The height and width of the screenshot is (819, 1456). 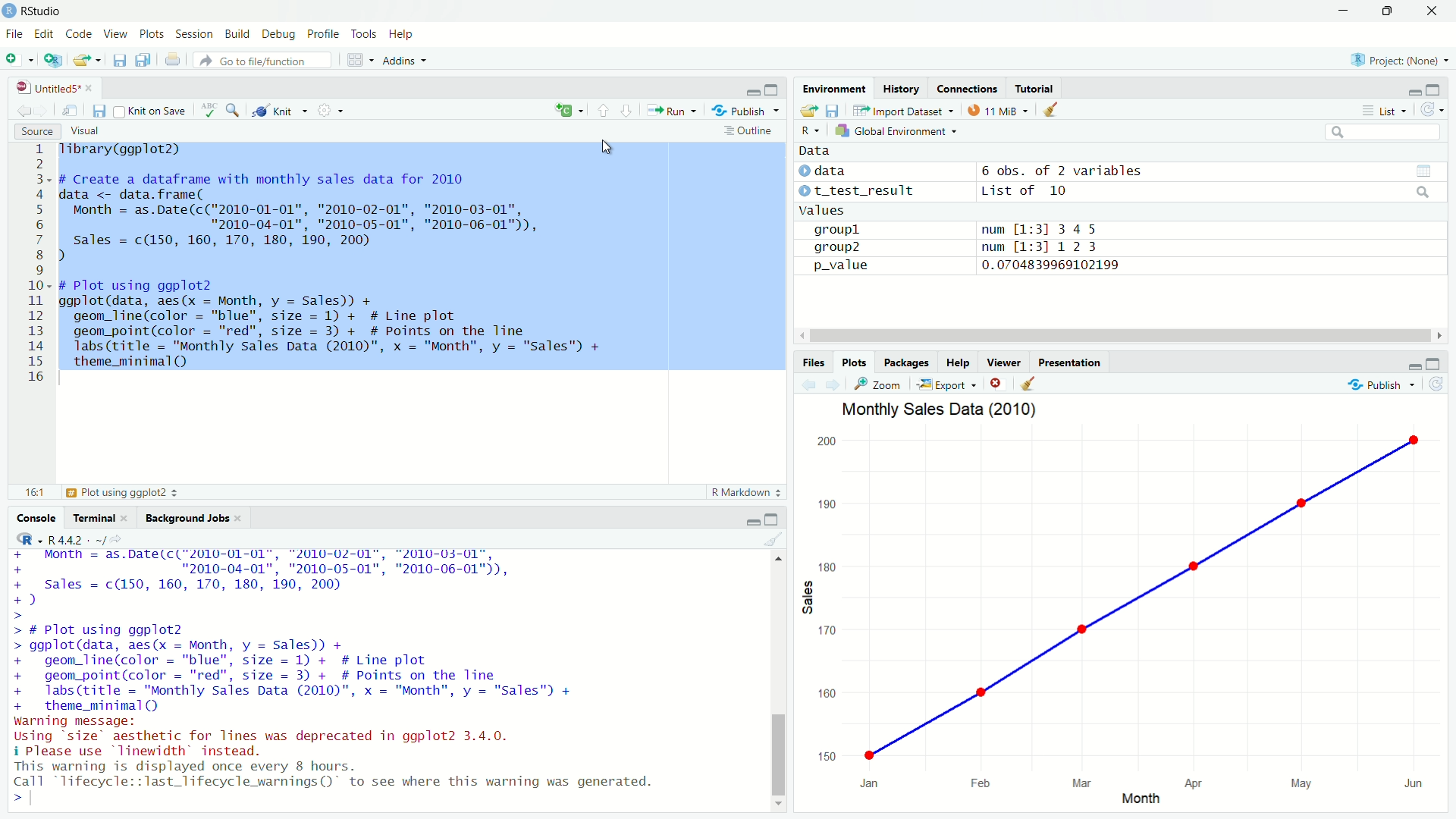 I want to click on minimise, so click(x=749, y=89).